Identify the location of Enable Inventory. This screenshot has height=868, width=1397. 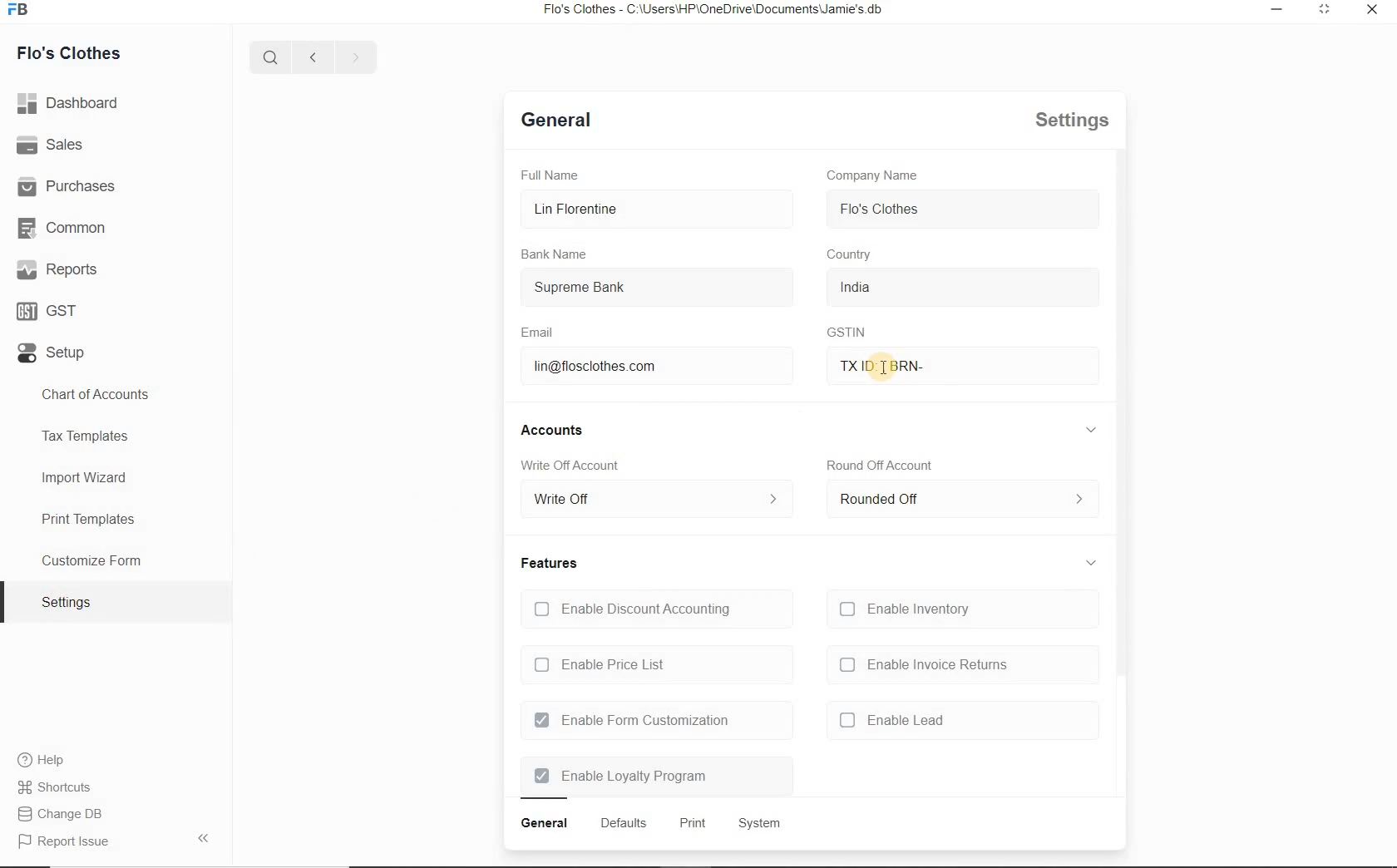
(910, 609).